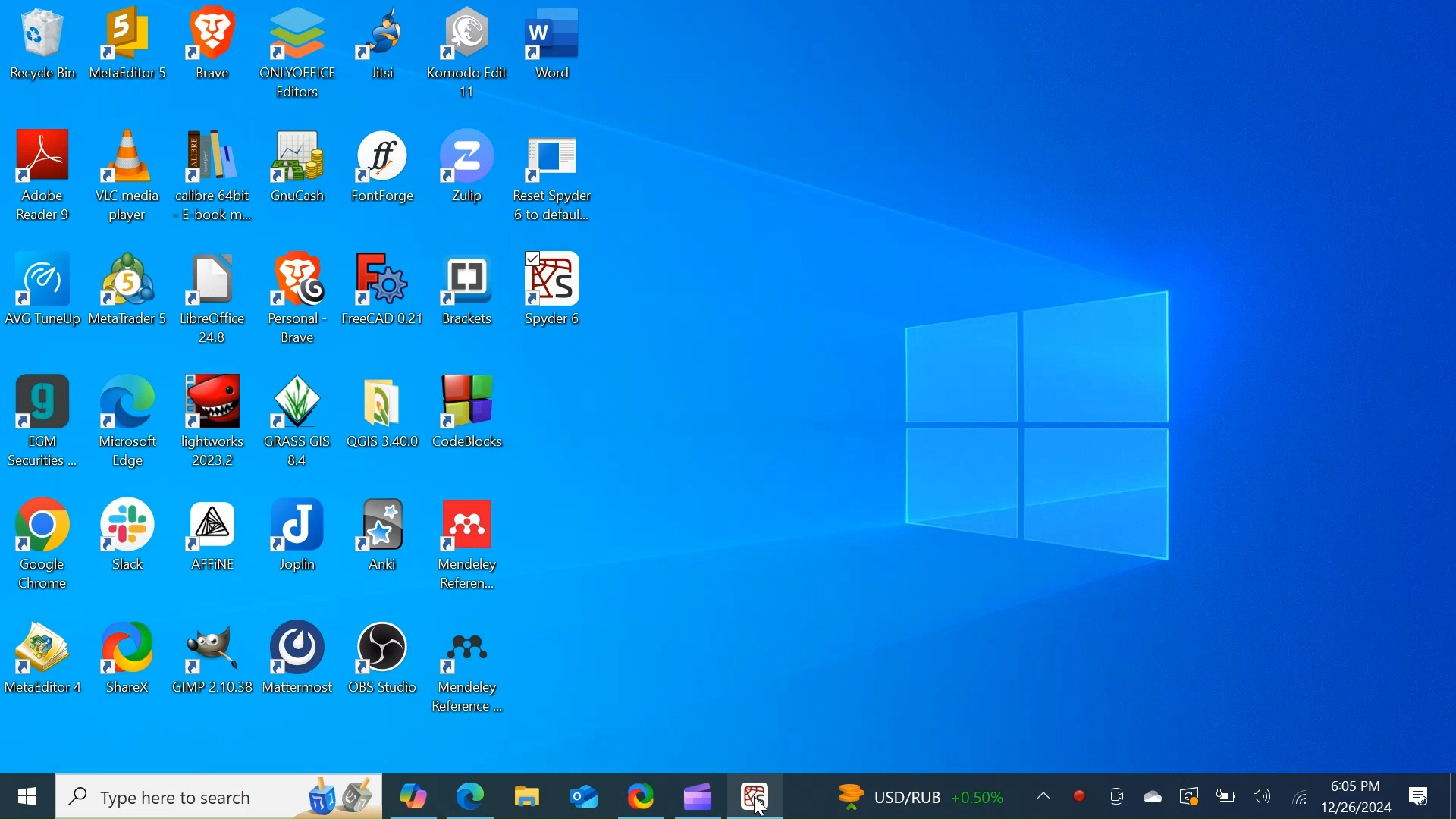 The width and height of the screenshot is (1456, 819). Describe the element at coordinates (213, 55) in the screenshot. I see `Brave Desktop Icon` at that location.